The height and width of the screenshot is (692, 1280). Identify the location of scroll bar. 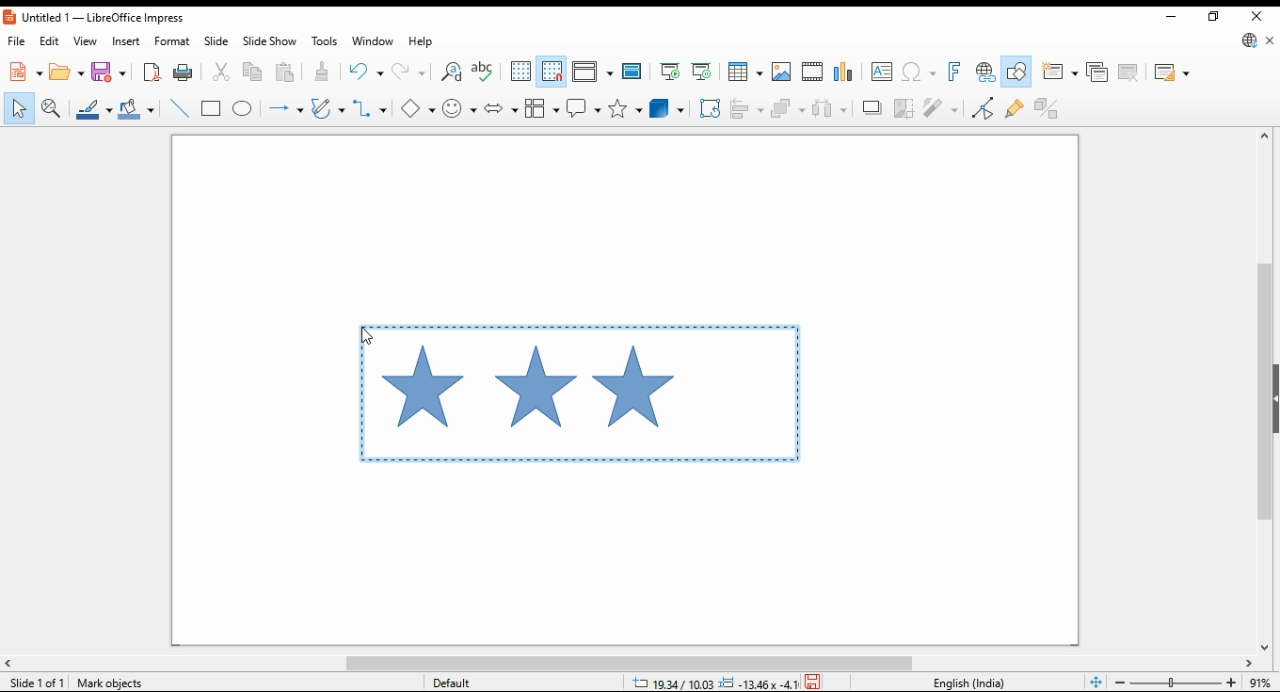
(640, 662).